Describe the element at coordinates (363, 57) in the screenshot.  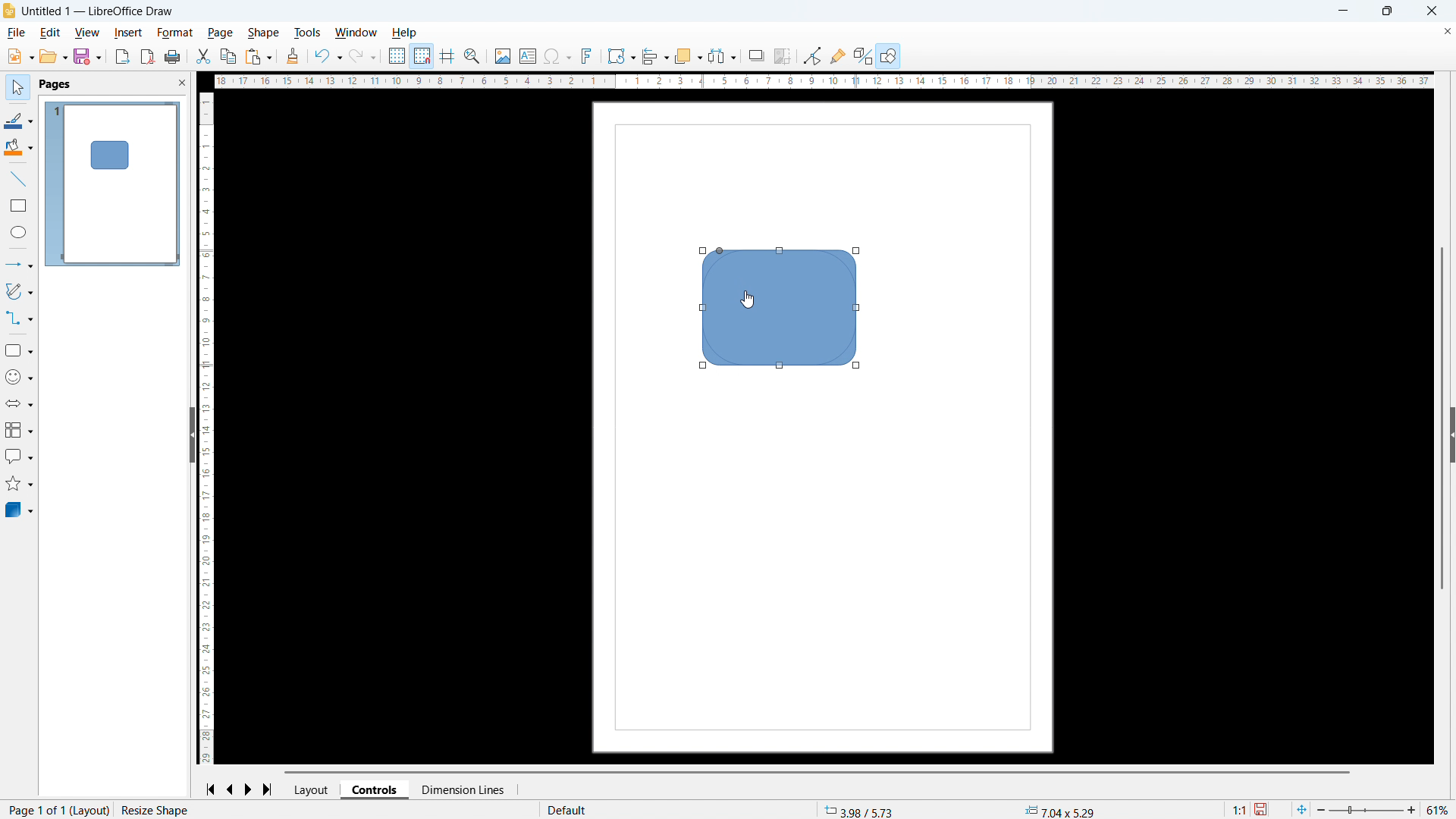
I see `Redo ` at that location.